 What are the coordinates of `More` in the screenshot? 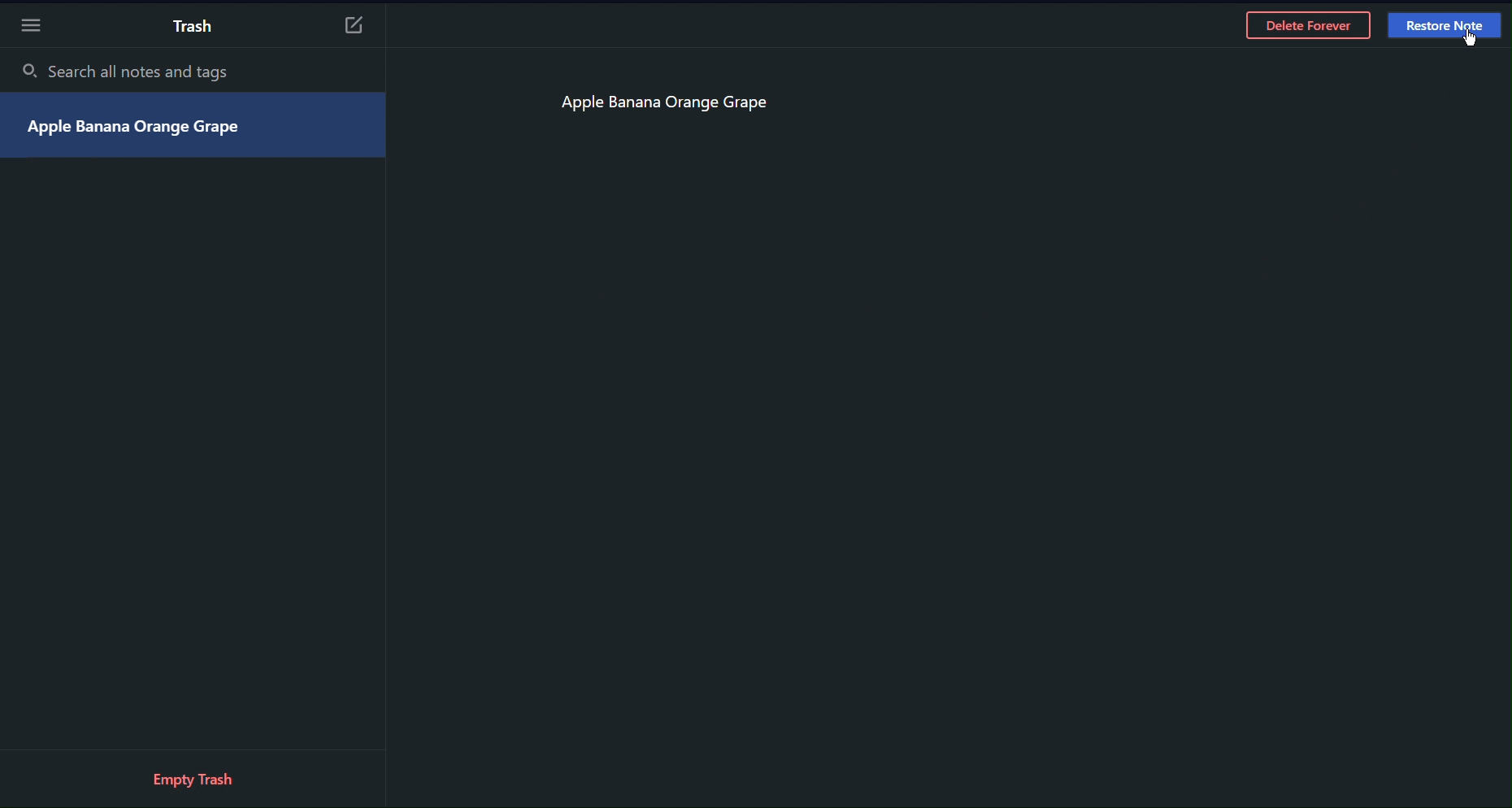 It's located at (31, 28).